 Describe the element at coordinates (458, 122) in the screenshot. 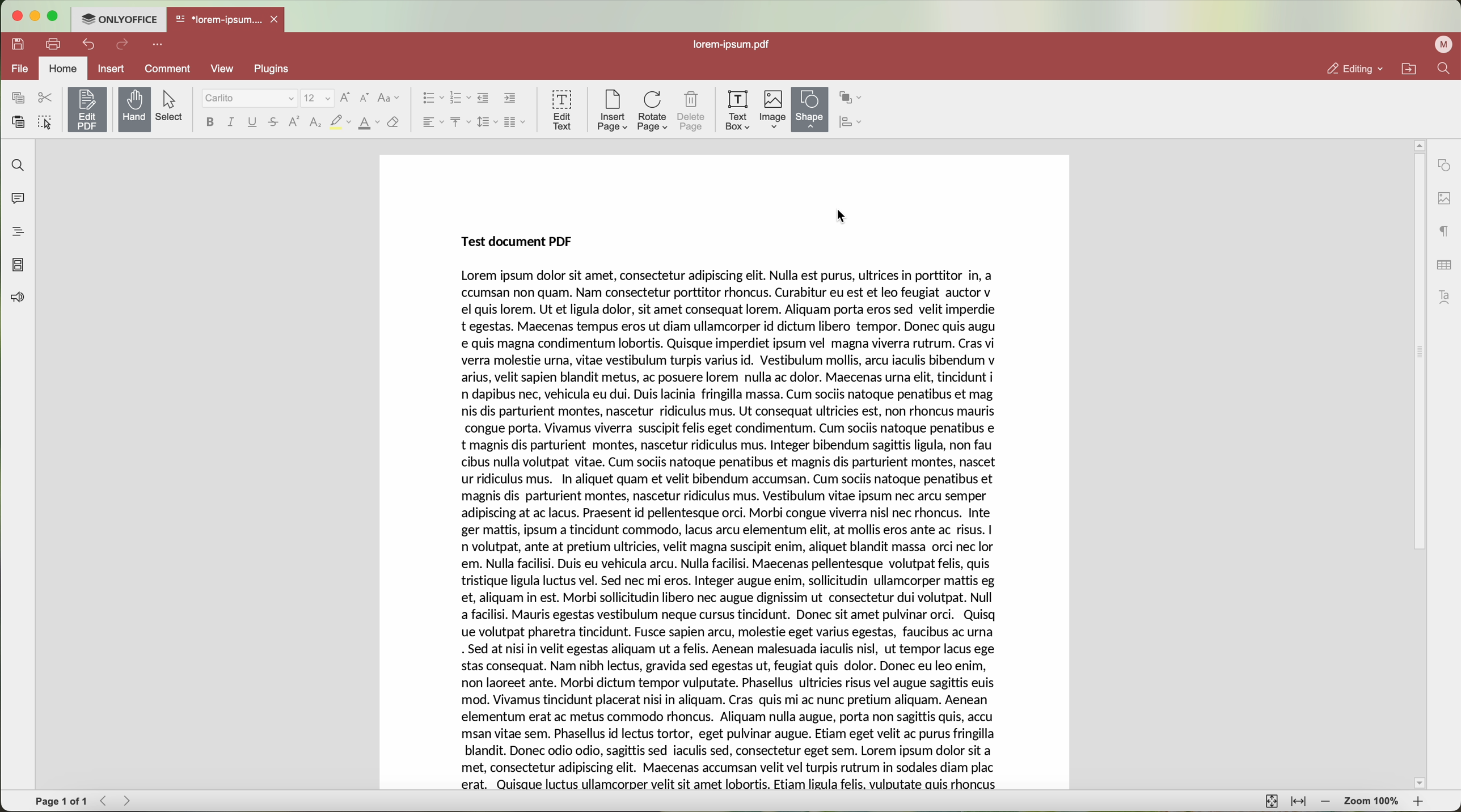

I see `vertical align` at that location.